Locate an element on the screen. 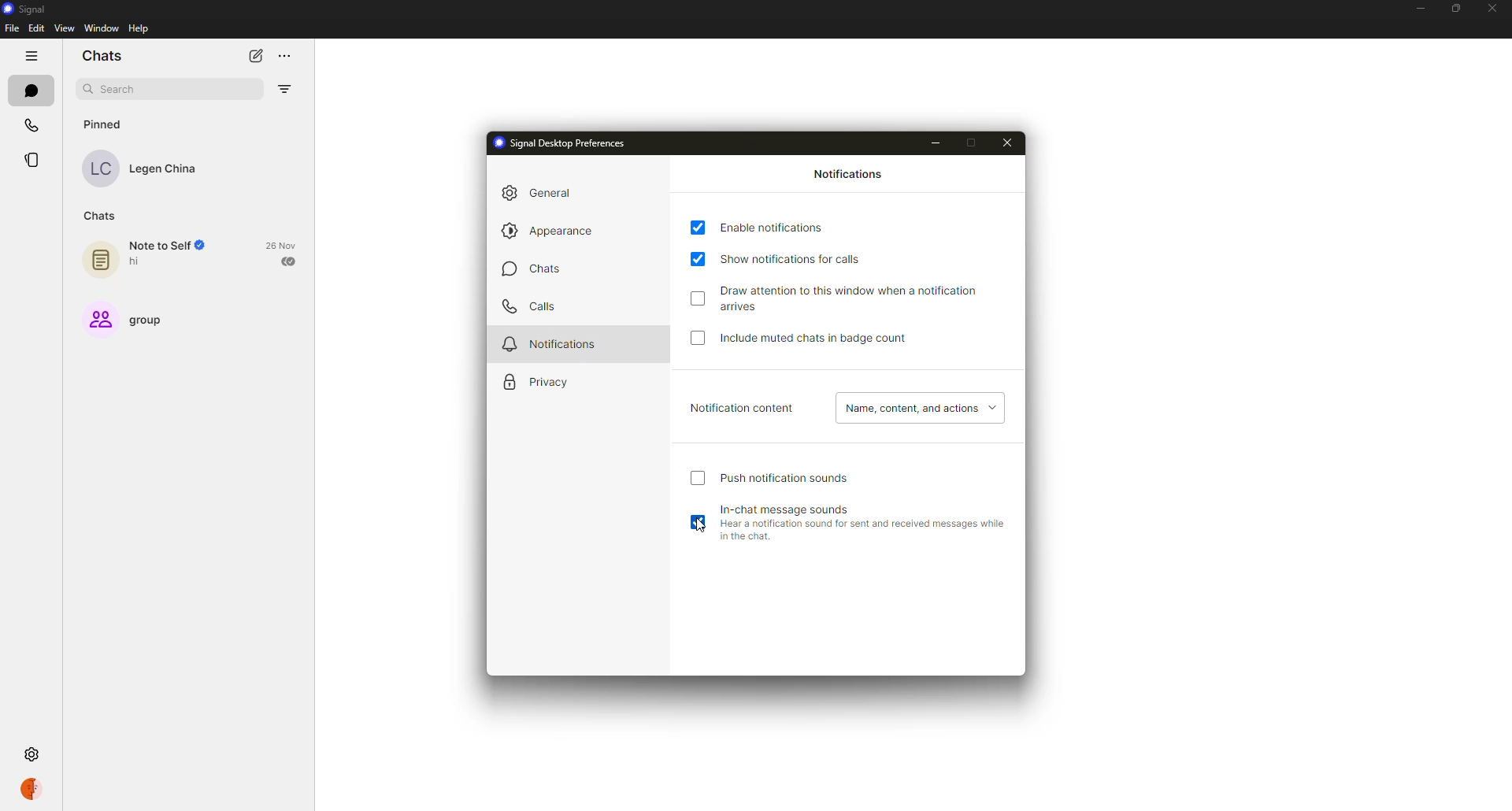 Image resolution: width=1512 pixels, height=811 pixels. edit is located at coordinates (35, 28).